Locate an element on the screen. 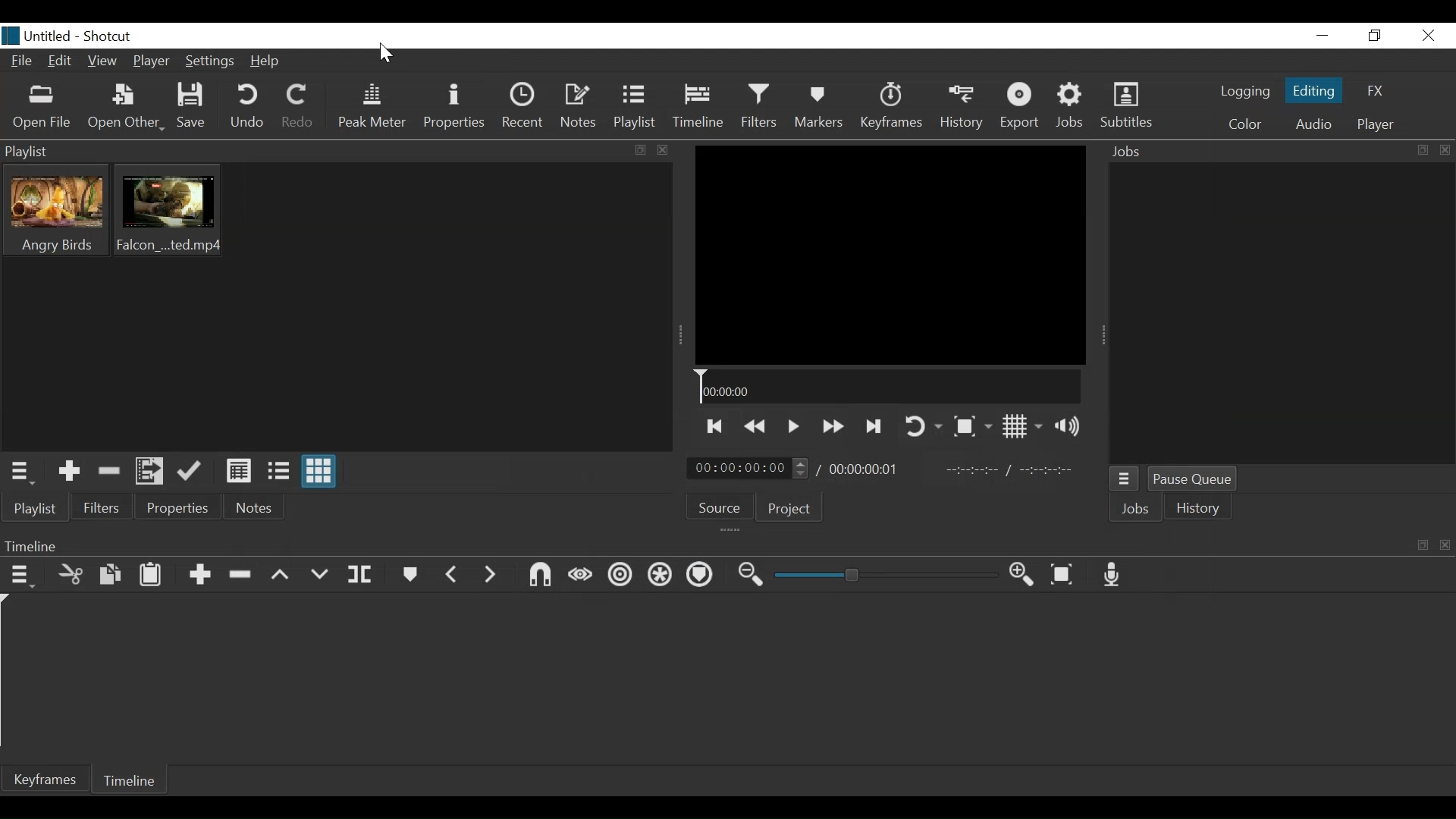 The width and height of the screenshot is (1456, 819). Previous marker is located at coordinates (452, 573).